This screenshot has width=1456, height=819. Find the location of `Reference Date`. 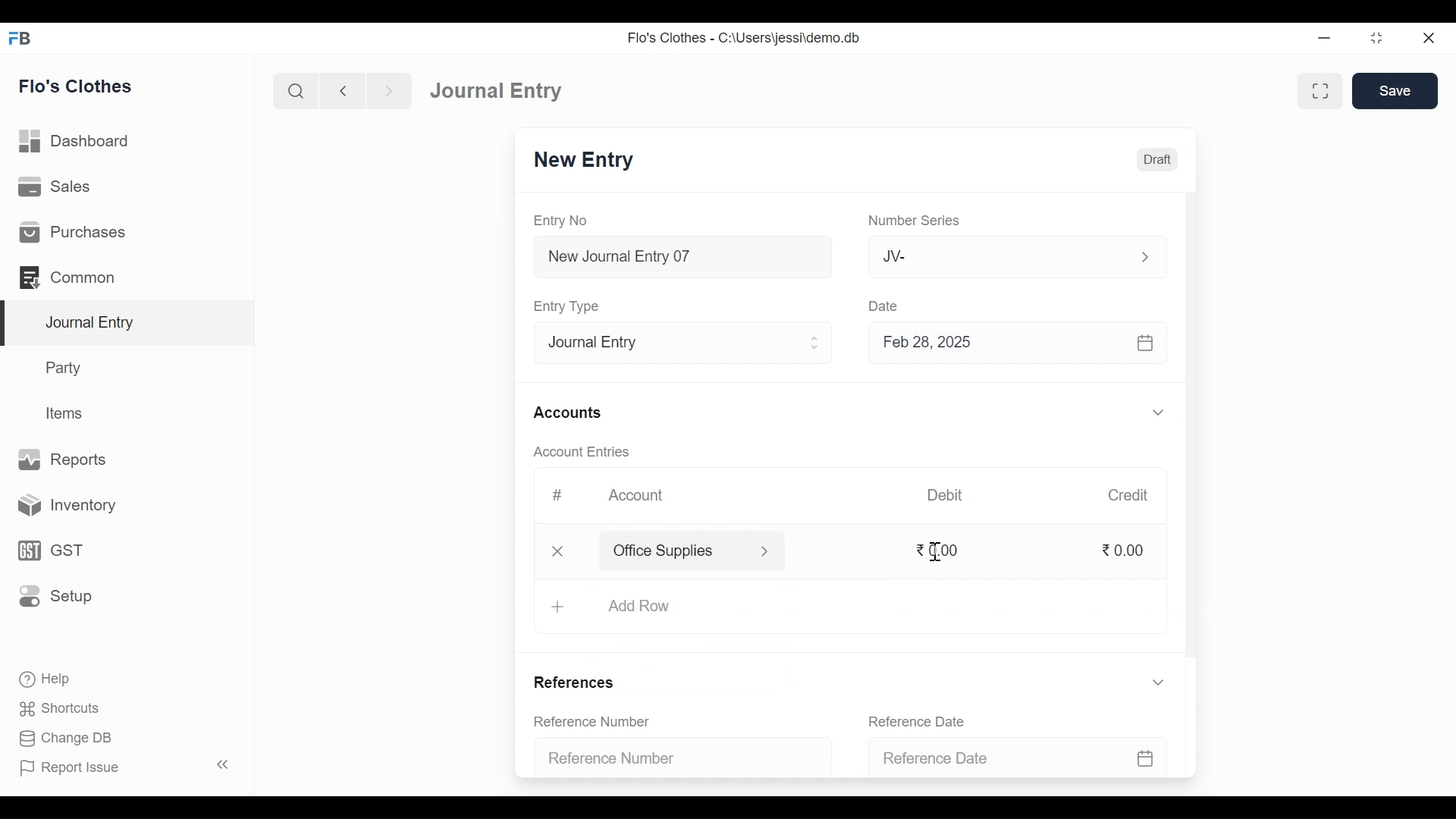

Reference Date is located at coordinates (916, 720).